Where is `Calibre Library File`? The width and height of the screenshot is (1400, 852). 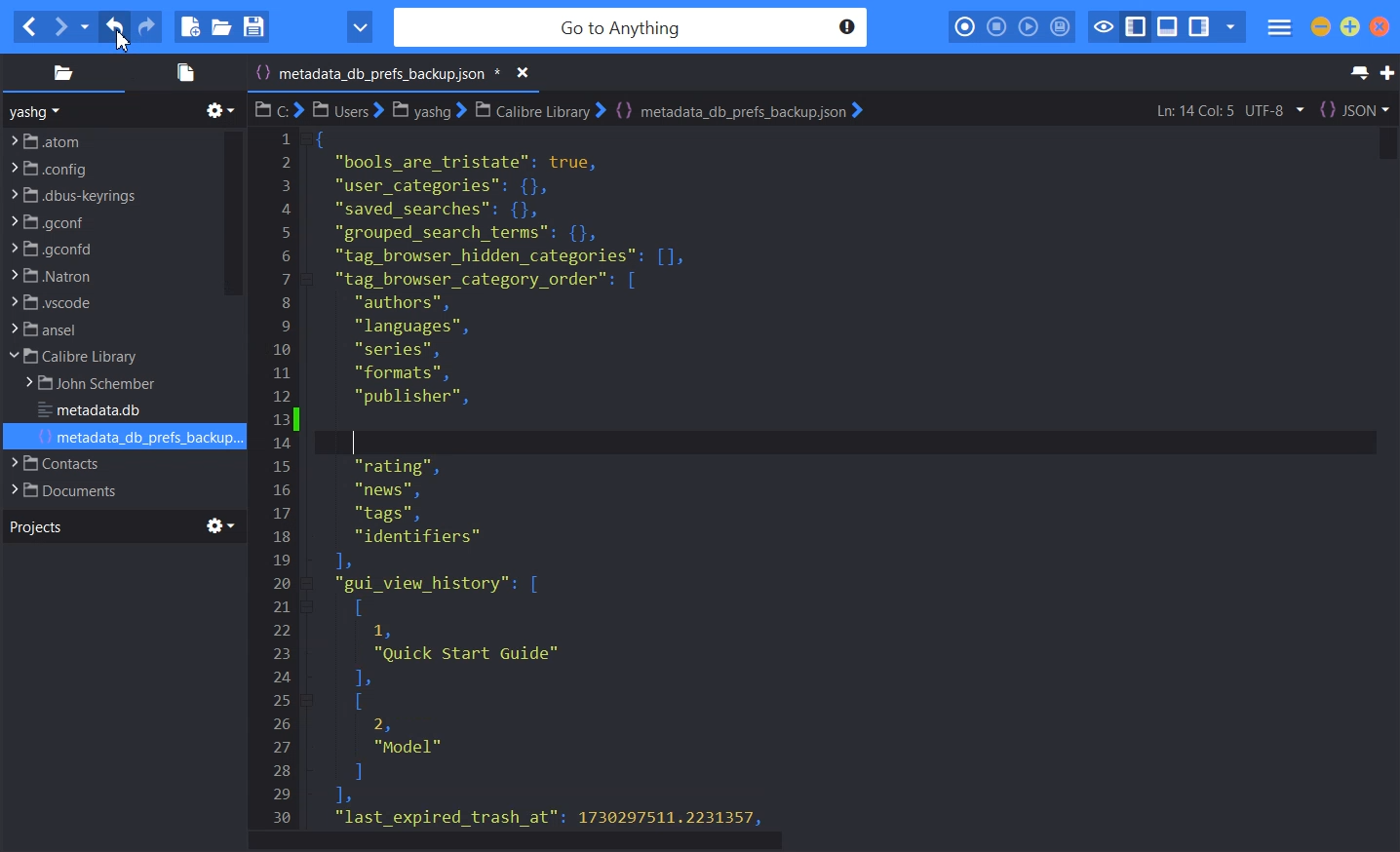
Calibre Library File is located at coordinates (538, 109).